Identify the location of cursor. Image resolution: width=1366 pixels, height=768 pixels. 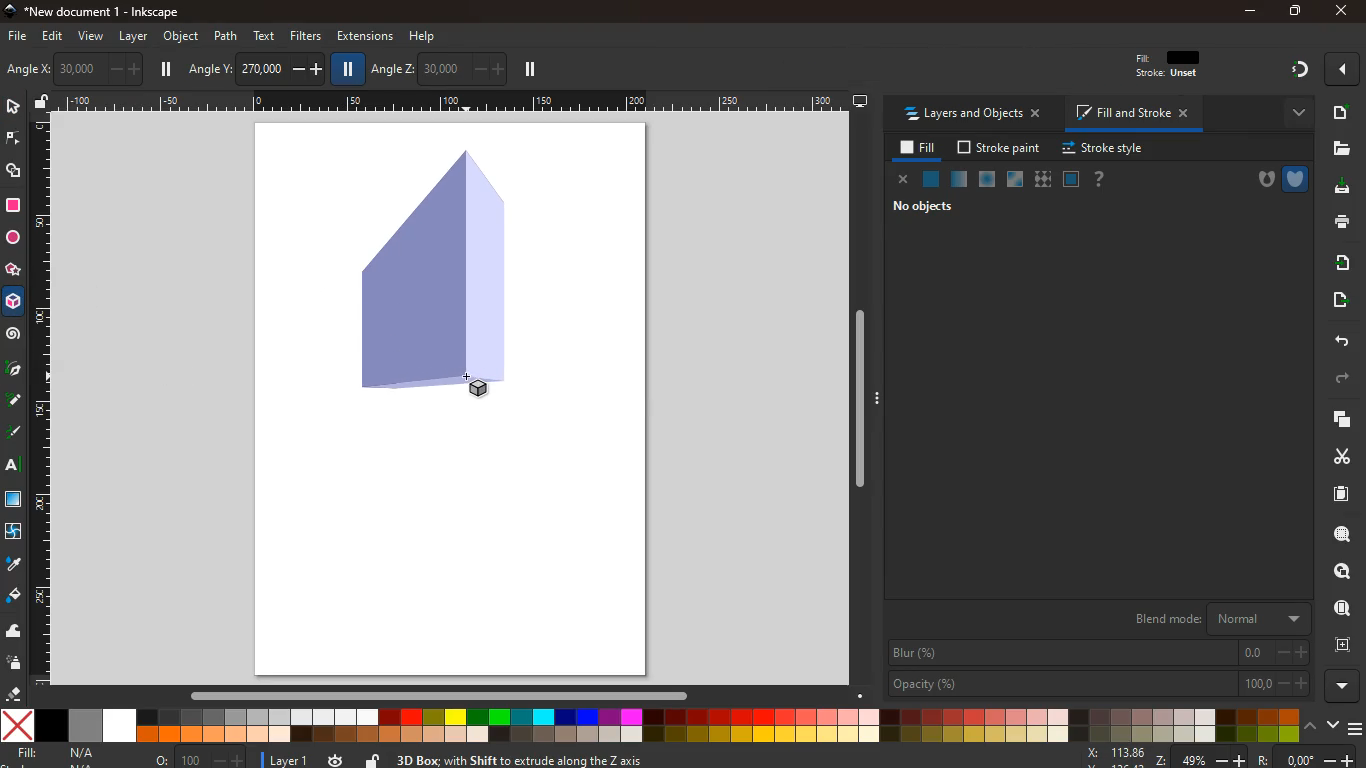
(470, 375).